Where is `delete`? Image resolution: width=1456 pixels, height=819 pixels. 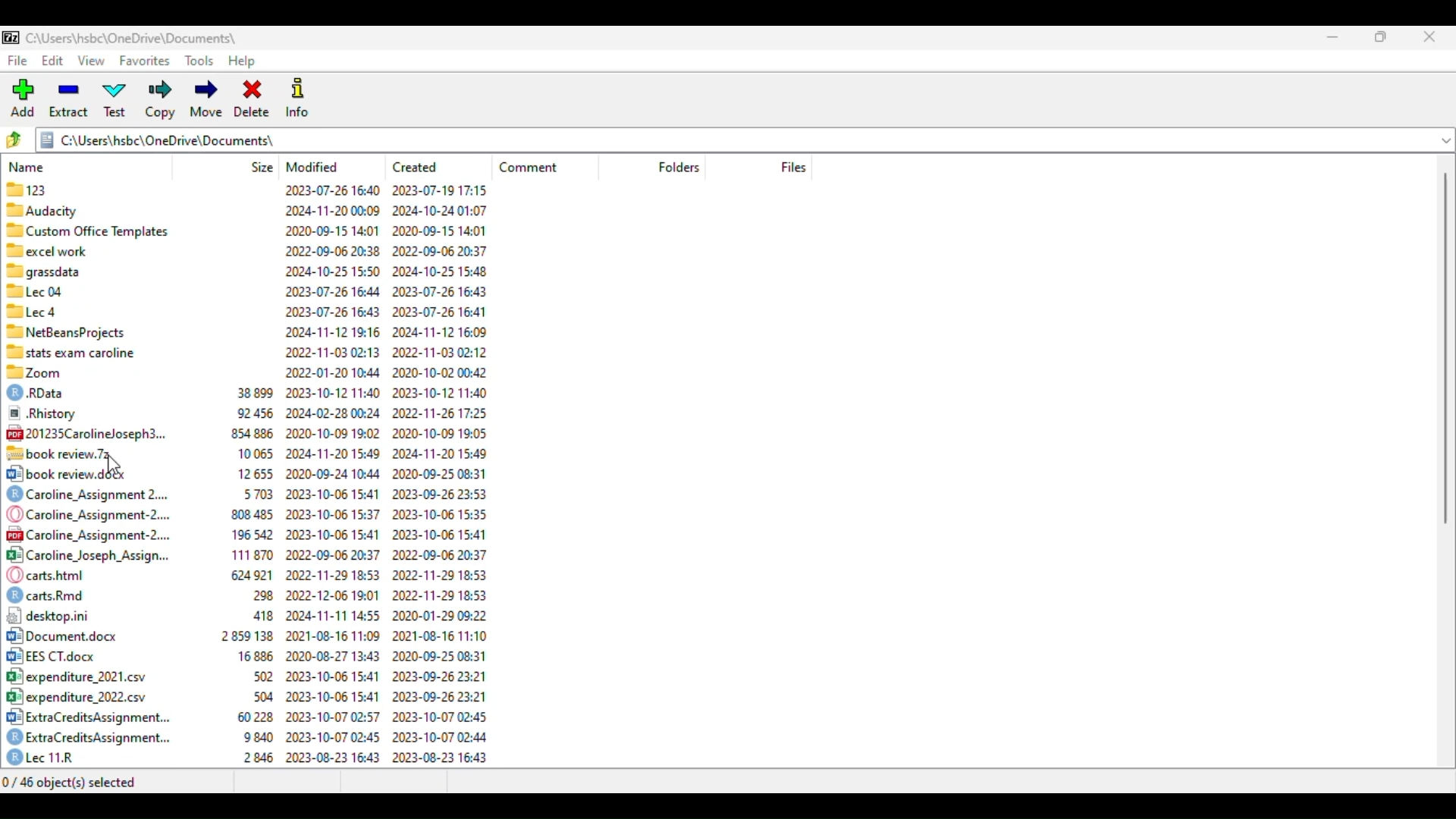
delete is located at coordinates (252, 100).